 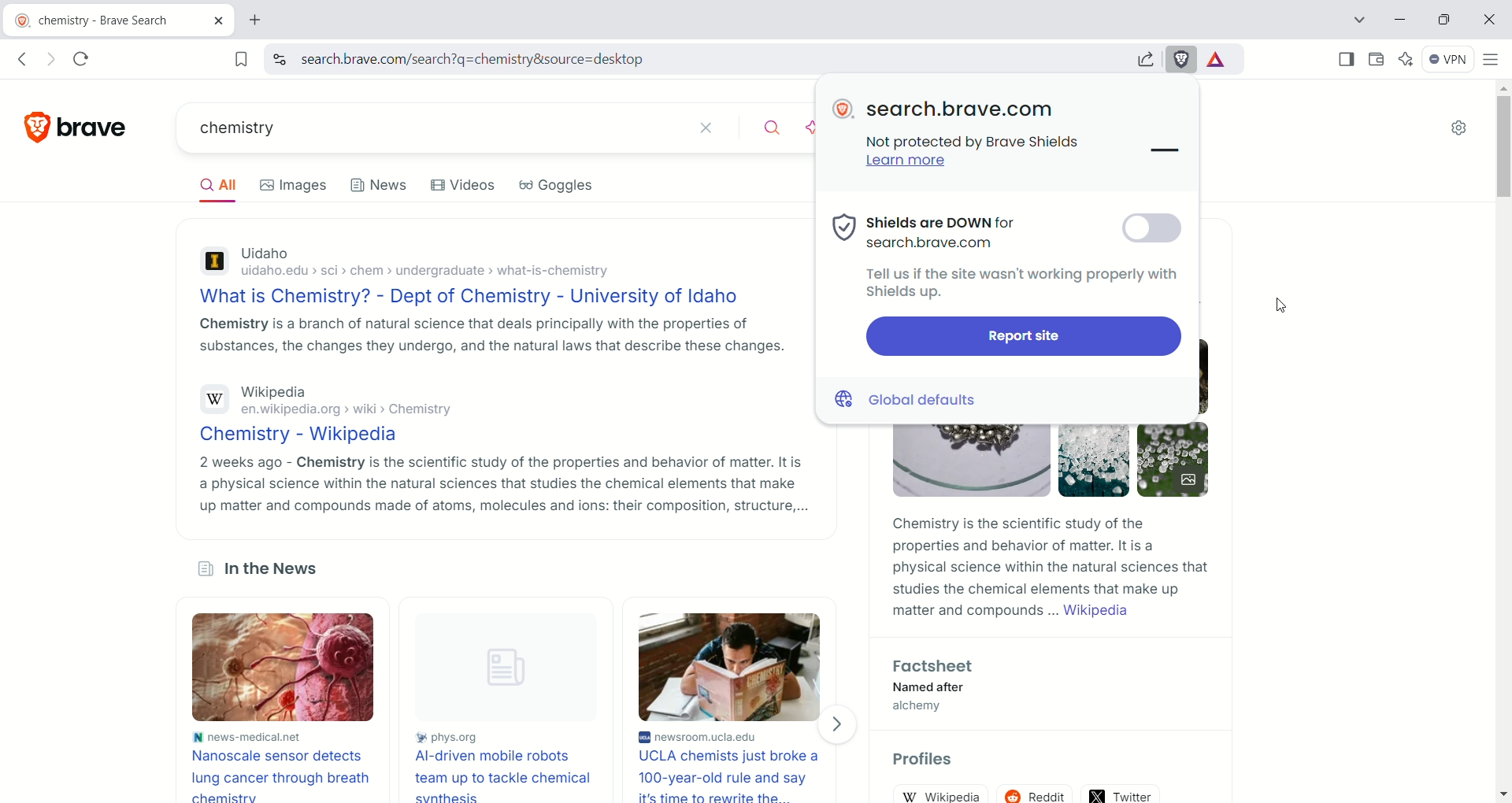 I want to click on Named after, so click(x=930, y=688).